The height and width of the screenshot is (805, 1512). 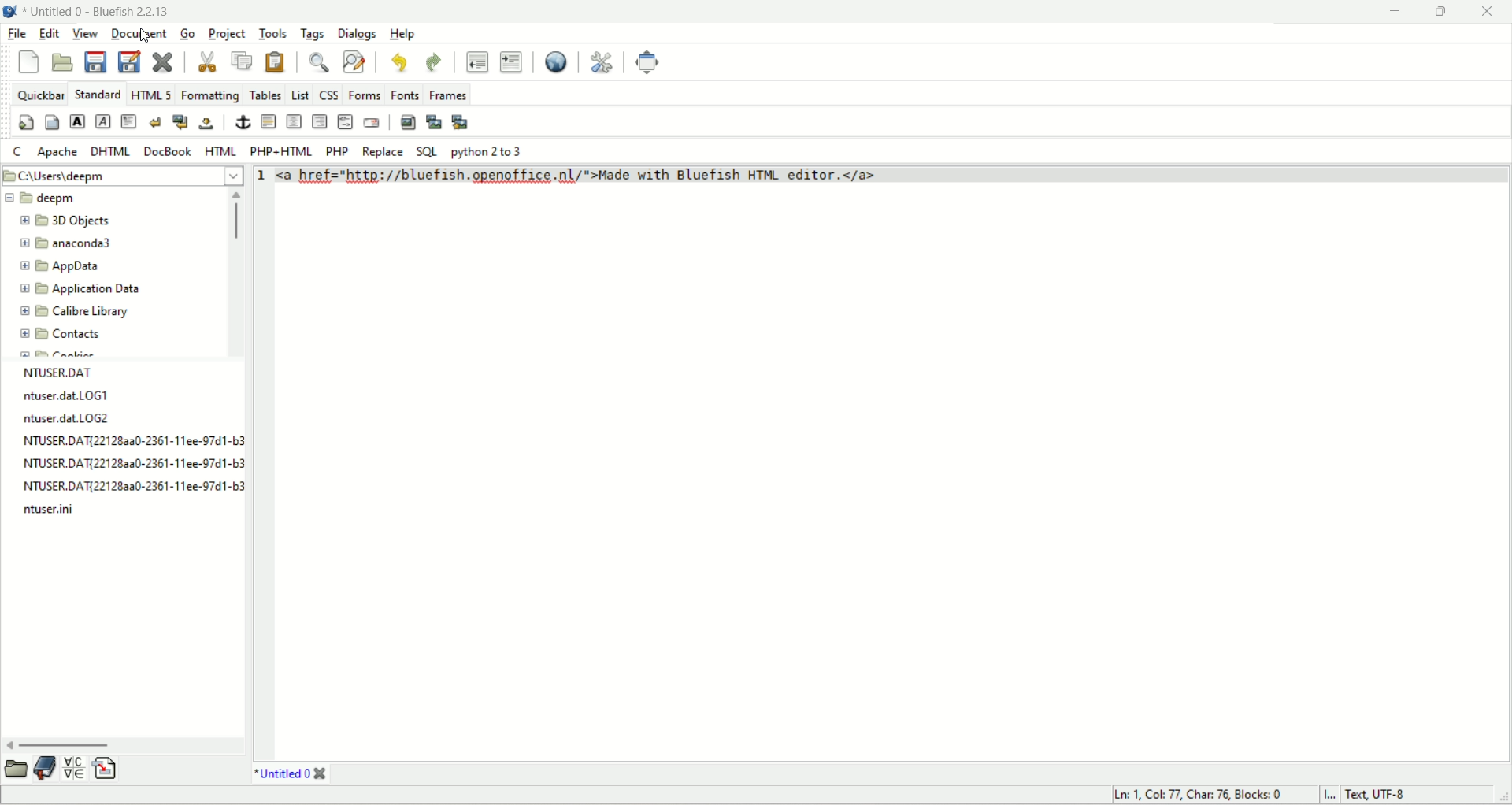 I want to click on insert images, so click(x=407, y=122).